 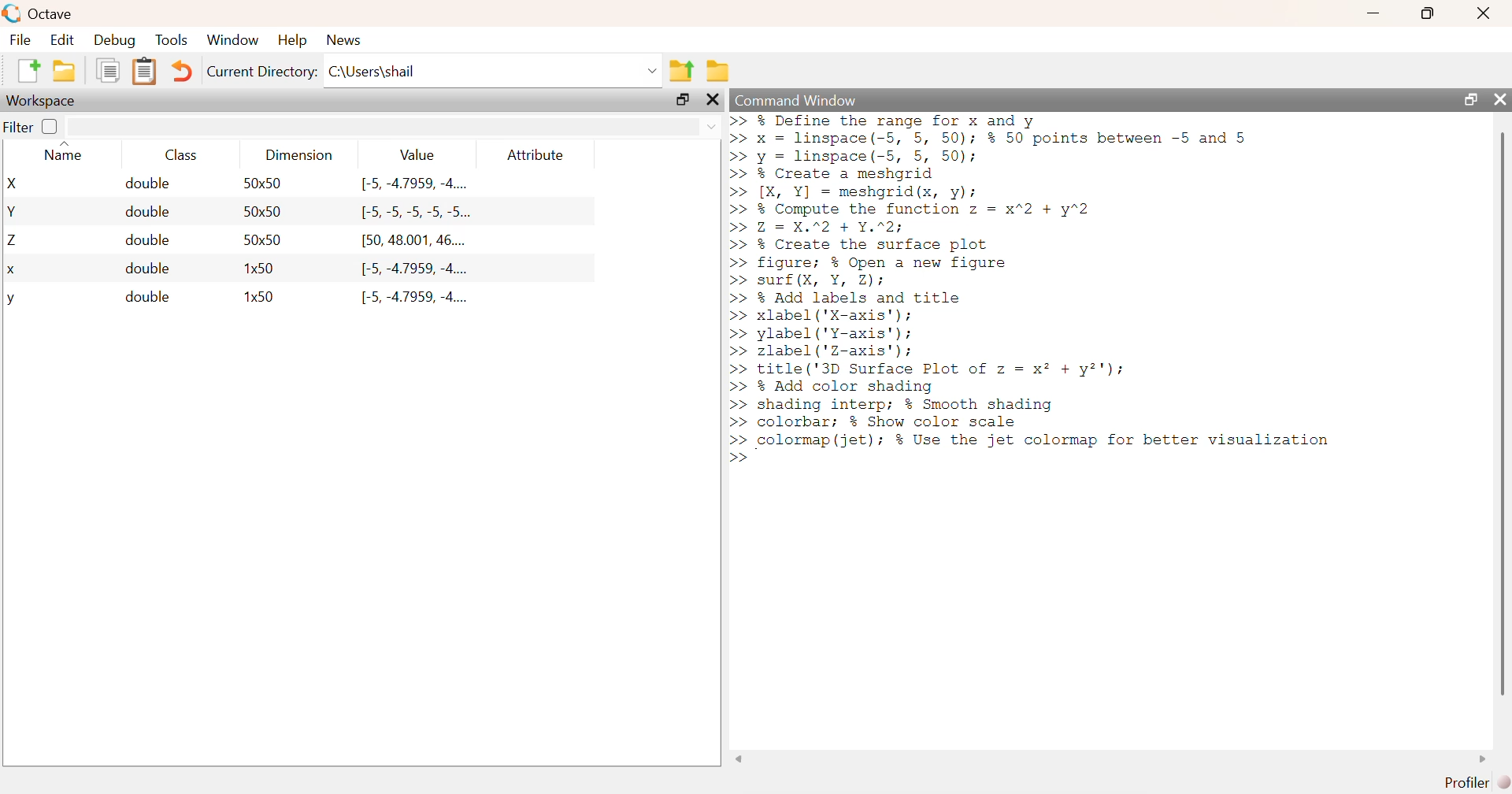 What do you see at coordinates (415, 242) in the screenshot?
I see `[50, 48.001, 46....` at bounding box center [415, 242].